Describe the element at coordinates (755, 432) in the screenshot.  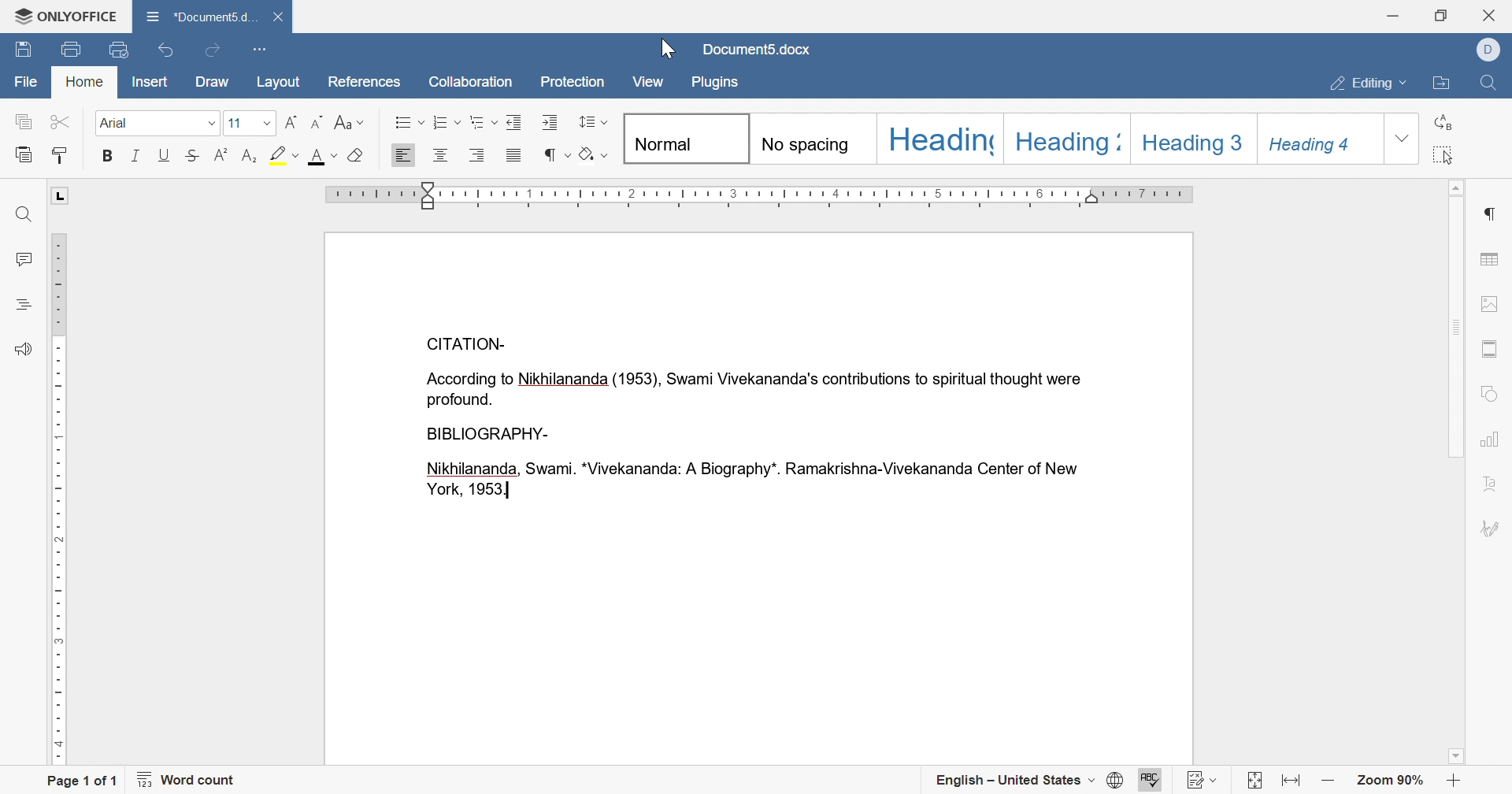
I see `According to Nikhilananda(1953), Swami Vivekananda's contributions to spiritual thought were profound` at that location.